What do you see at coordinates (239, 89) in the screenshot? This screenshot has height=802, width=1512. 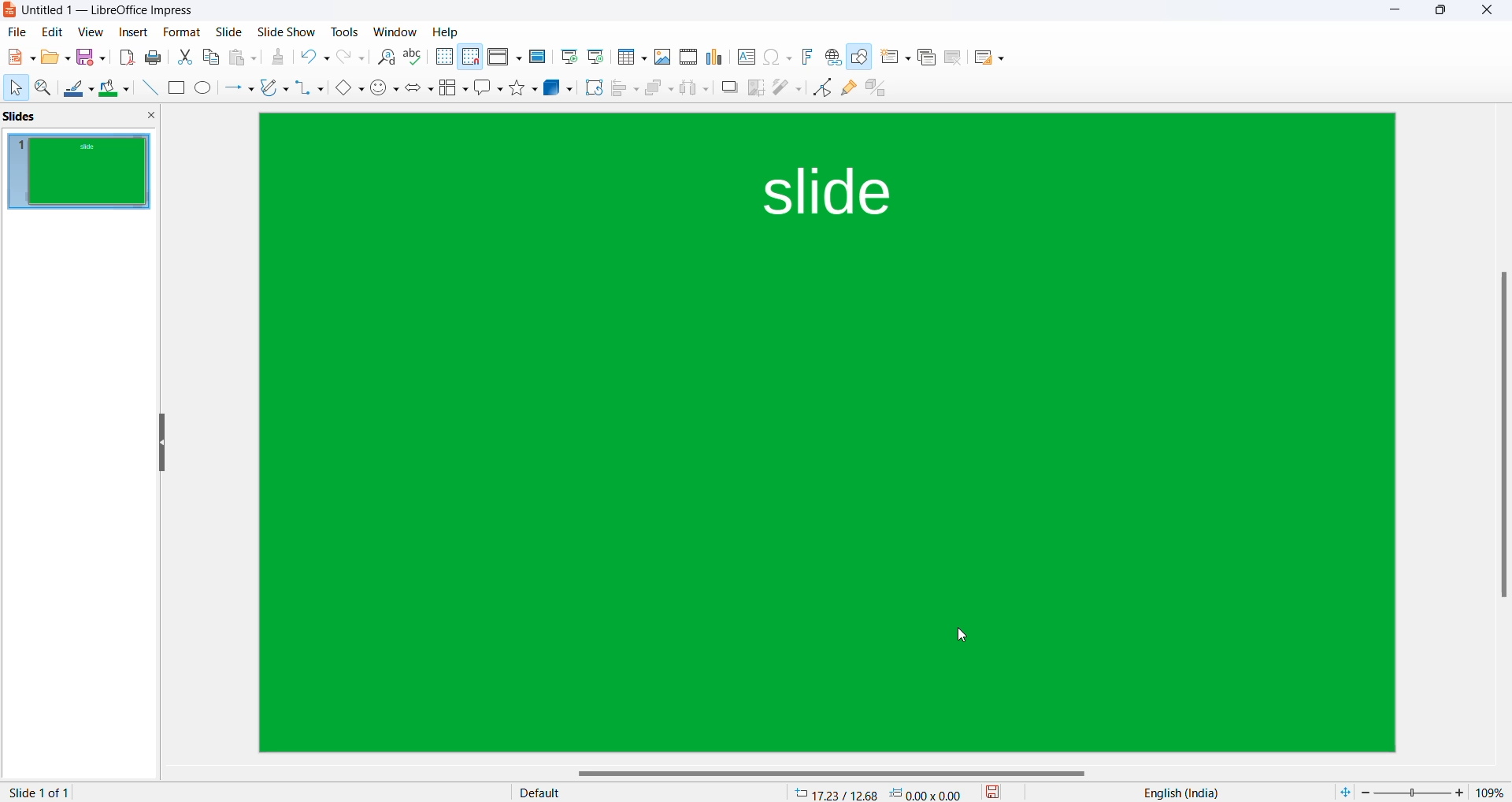 I see `line and arrows ` at bounding box center [239, 89].